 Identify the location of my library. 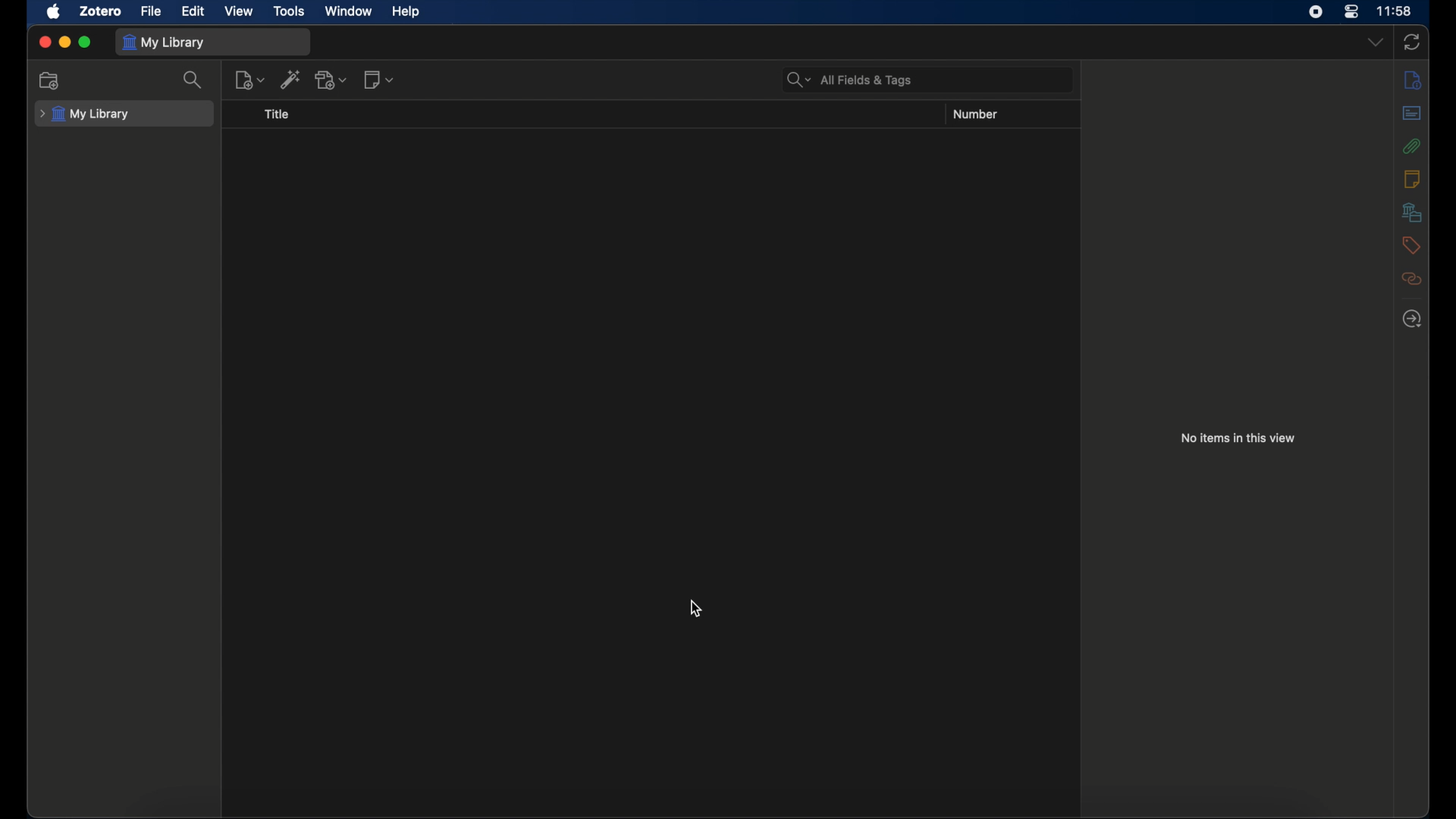
(85, 115).